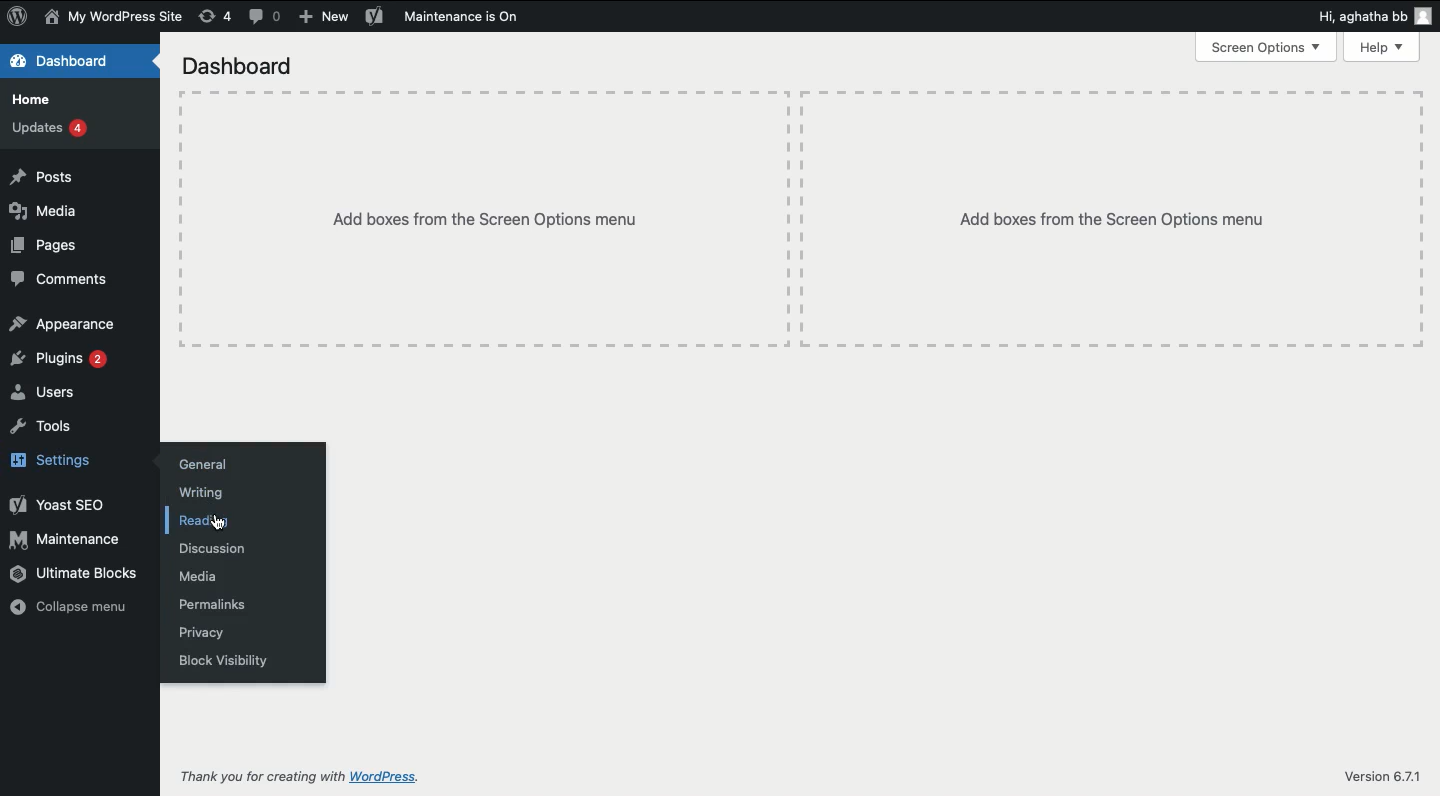  Describe the element at coordinates (69, 541) in the screenshot. I see `maintenance ` at that location.